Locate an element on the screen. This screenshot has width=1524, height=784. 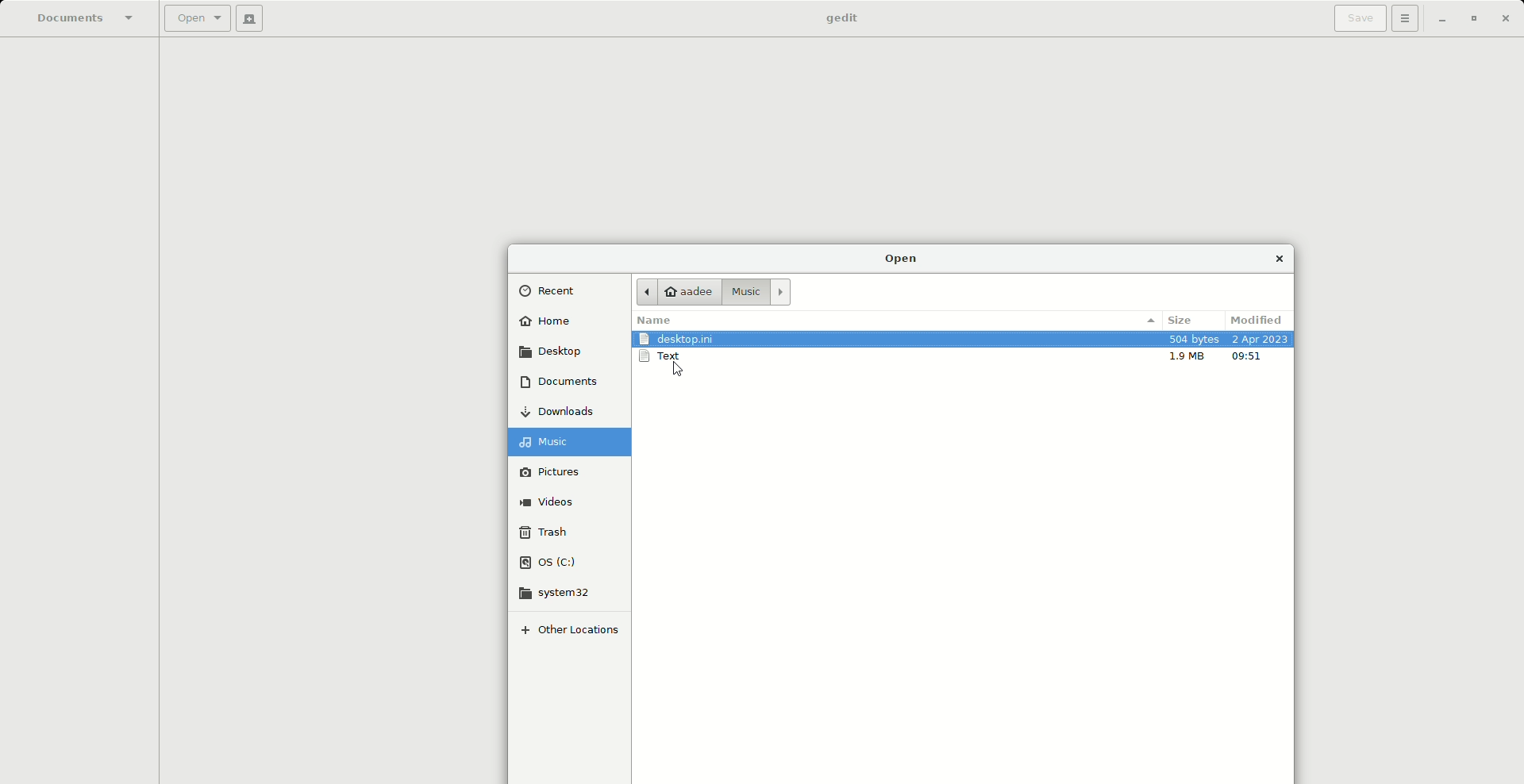
Options is located at coordinates (1410, 18).